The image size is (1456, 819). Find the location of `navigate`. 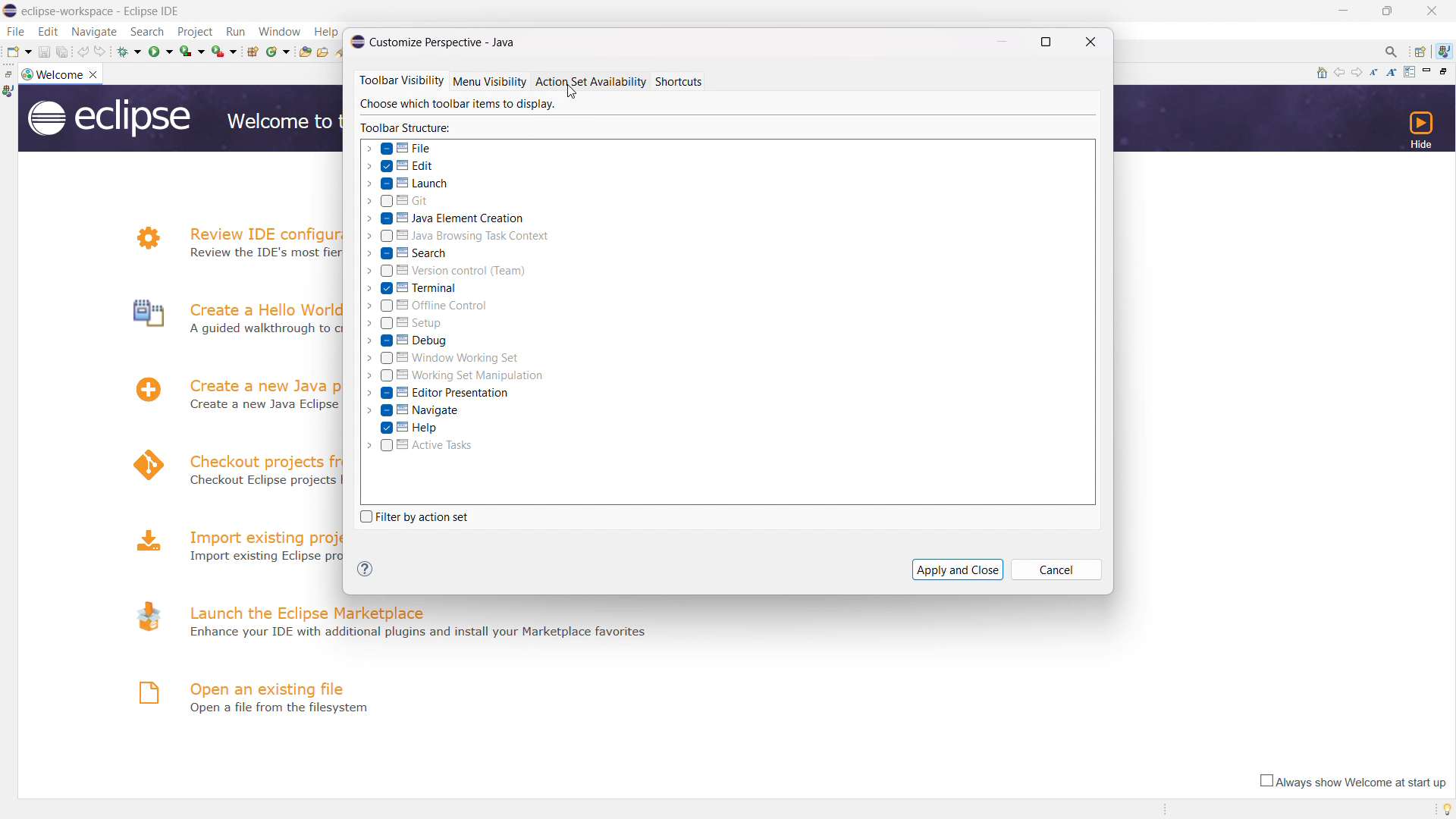

navigate is located at coordinates (411, 409).